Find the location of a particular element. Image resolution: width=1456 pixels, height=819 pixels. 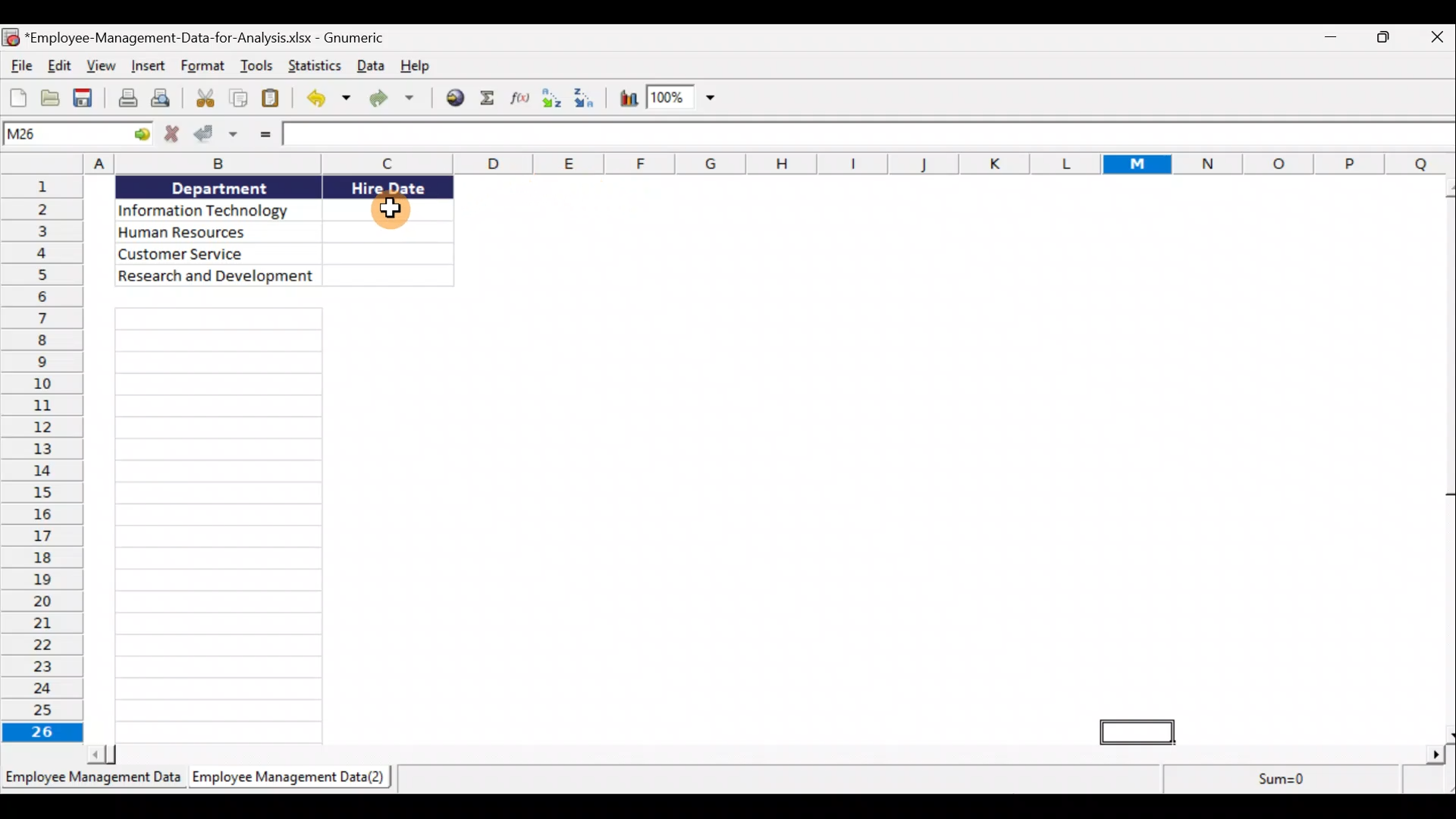

Data is located at coordinates (279, 230).